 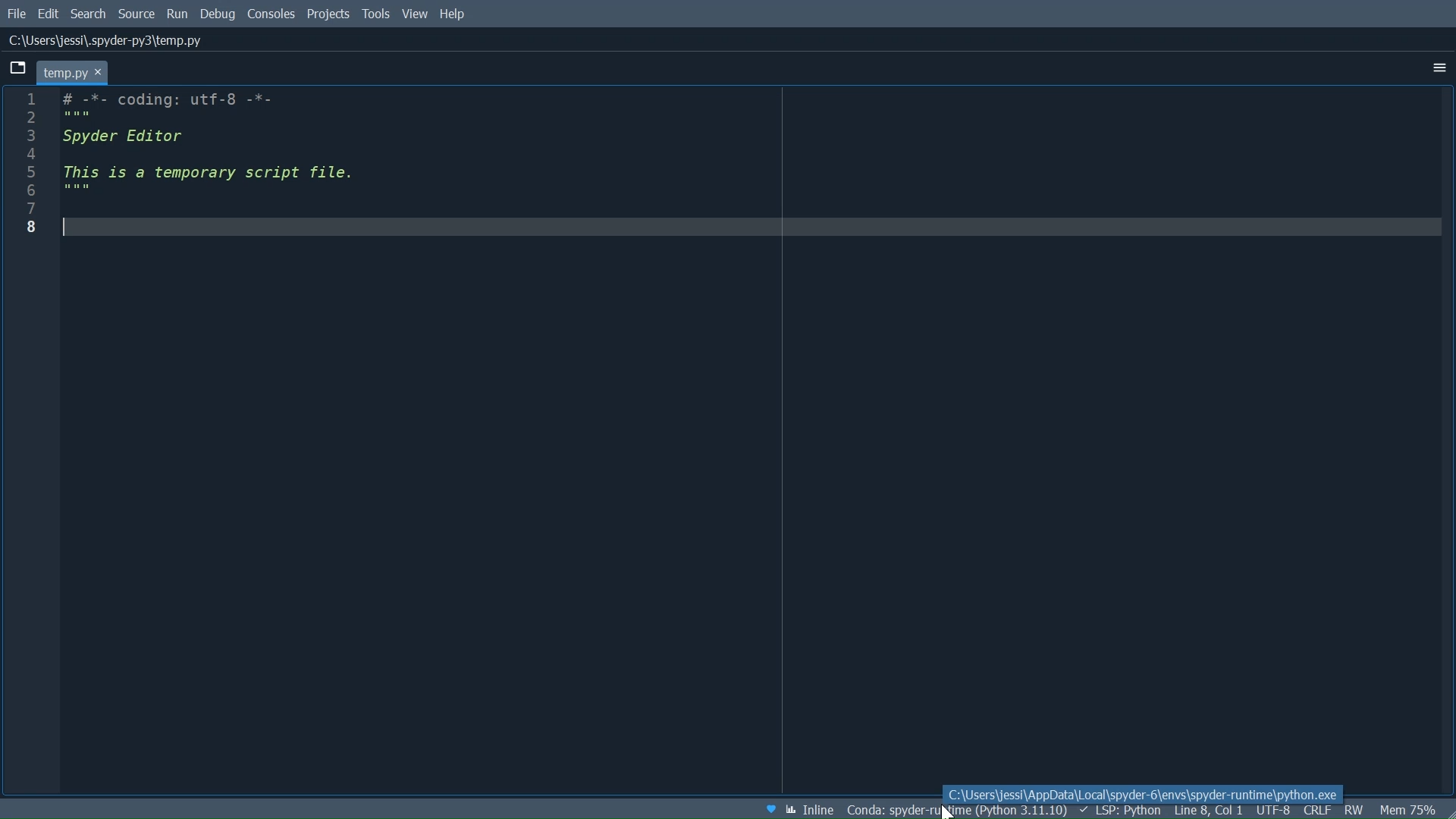 I want to click on # -*- coding: utf-8 -*- """ Spyder Editor  This is a temporary script file. """, so click(x=745, y=431).